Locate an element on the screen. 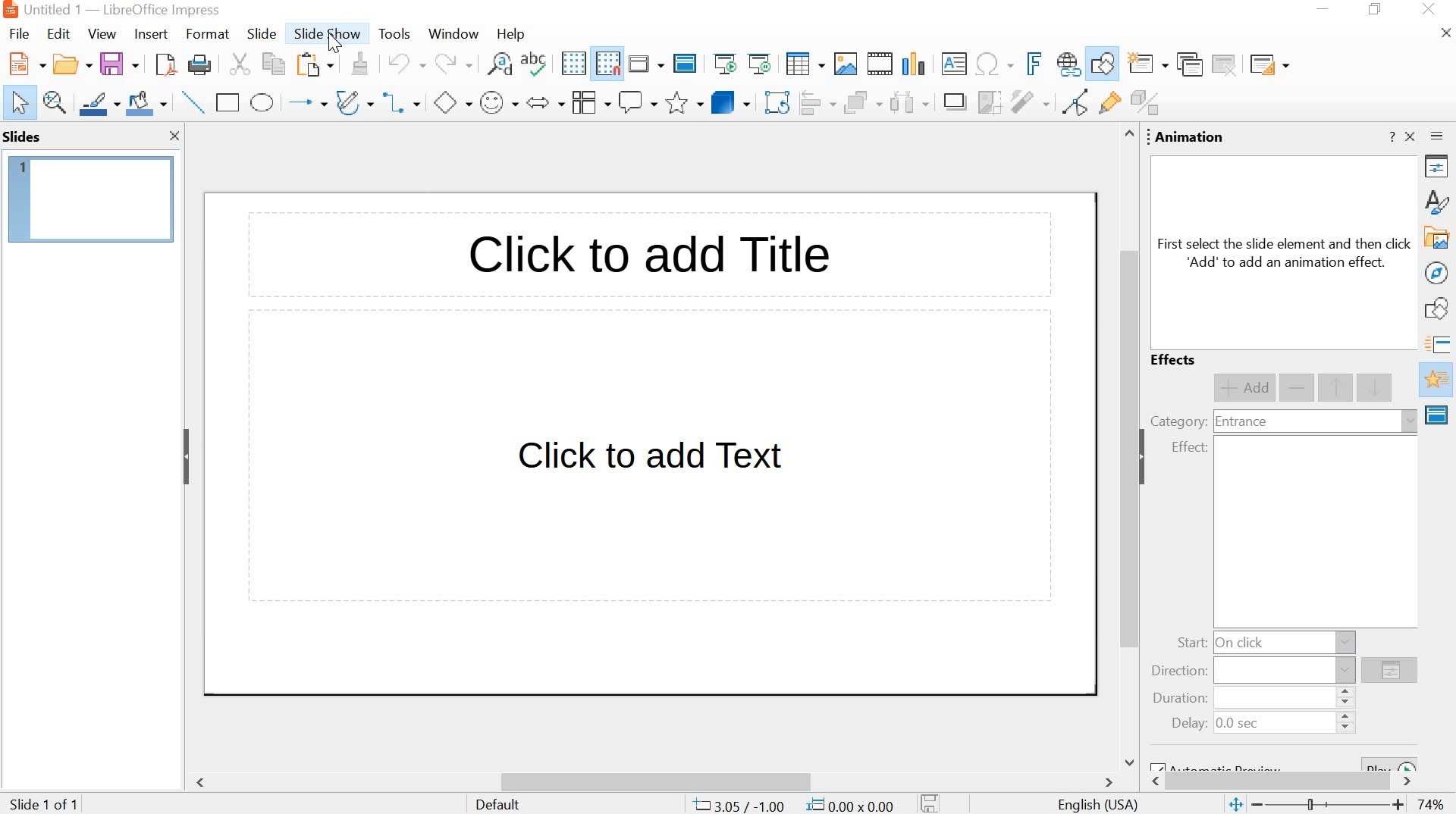 This screenshot has width=1456, height=814. zoom in is located at coordinates (1398, 806).